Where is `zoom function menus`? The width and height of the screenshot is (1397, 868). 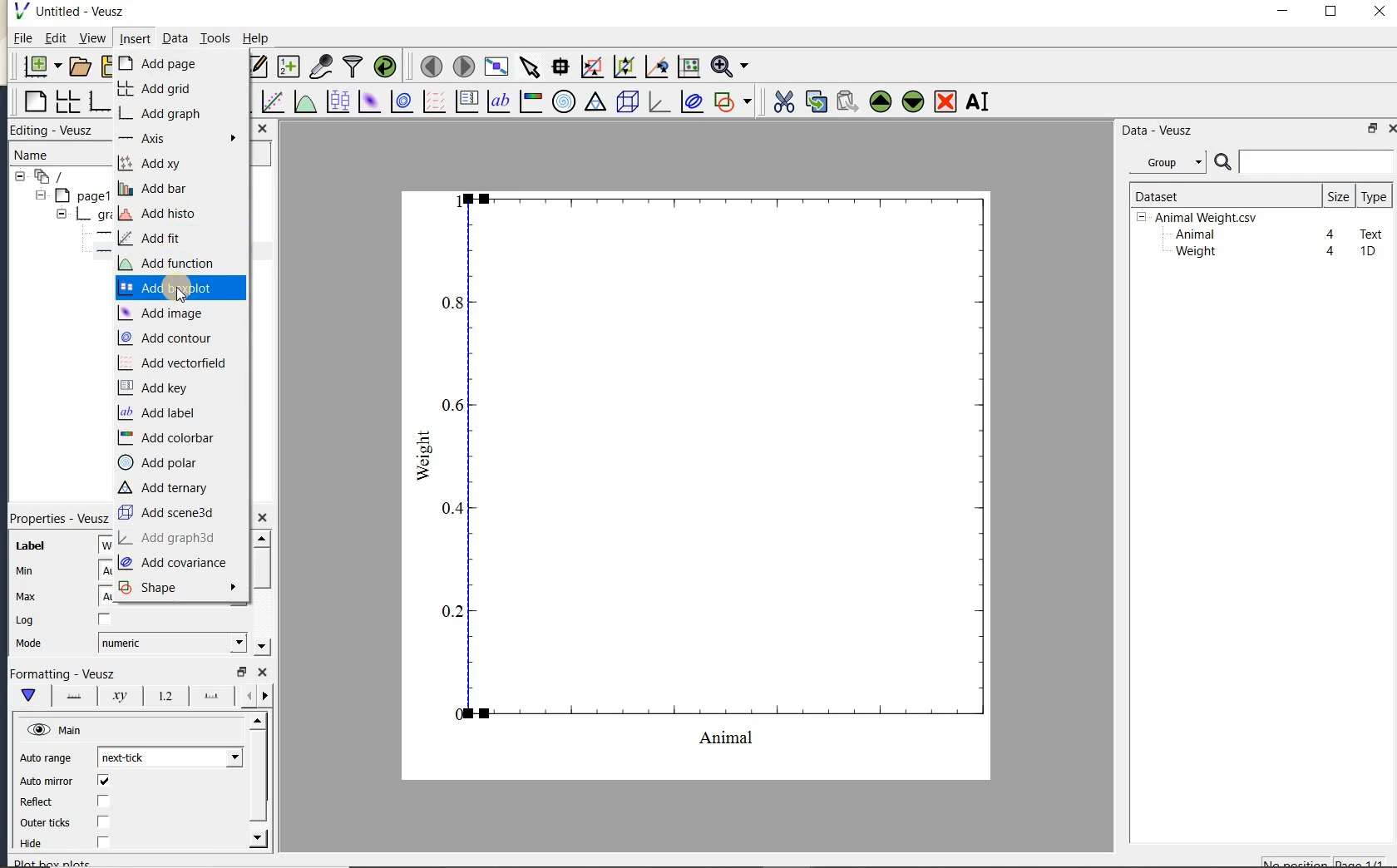 zoom function menus is located at coordinates (729, 67).